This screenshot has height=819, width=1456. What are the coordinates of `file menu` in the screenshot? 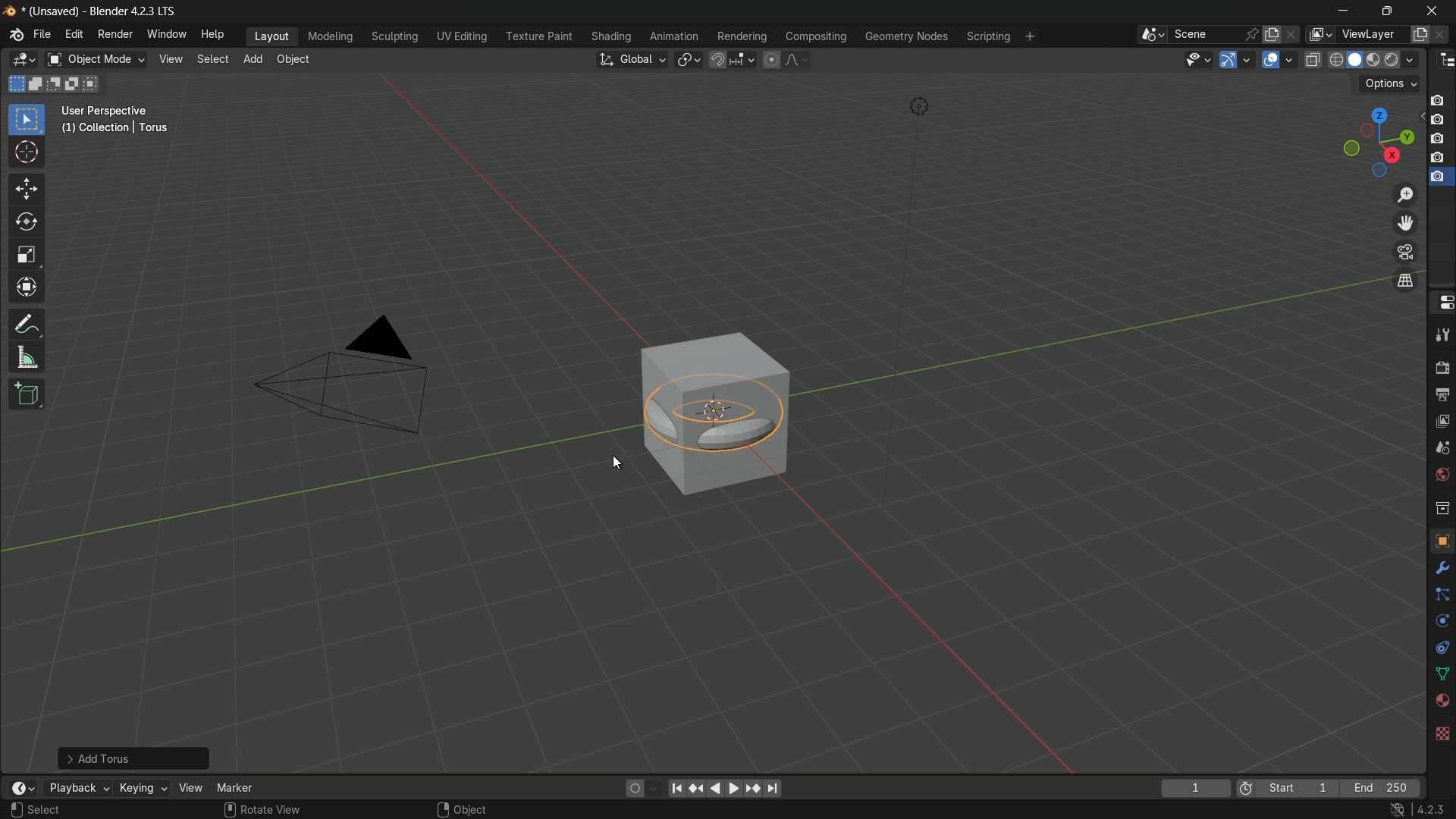 It's located at (42, 34).